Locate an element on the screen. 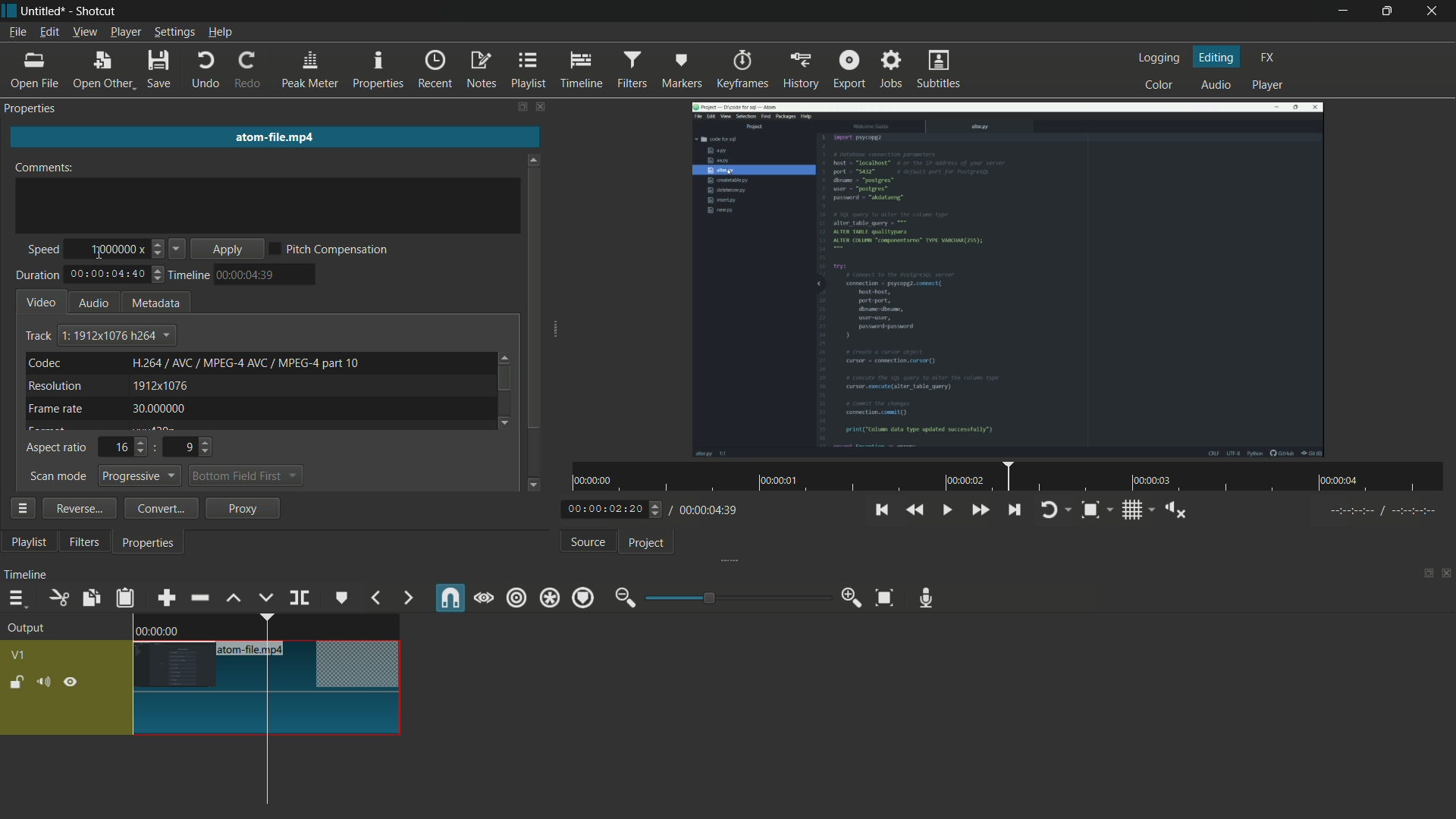  toggle zoom is located at coordinates (1093, 510).